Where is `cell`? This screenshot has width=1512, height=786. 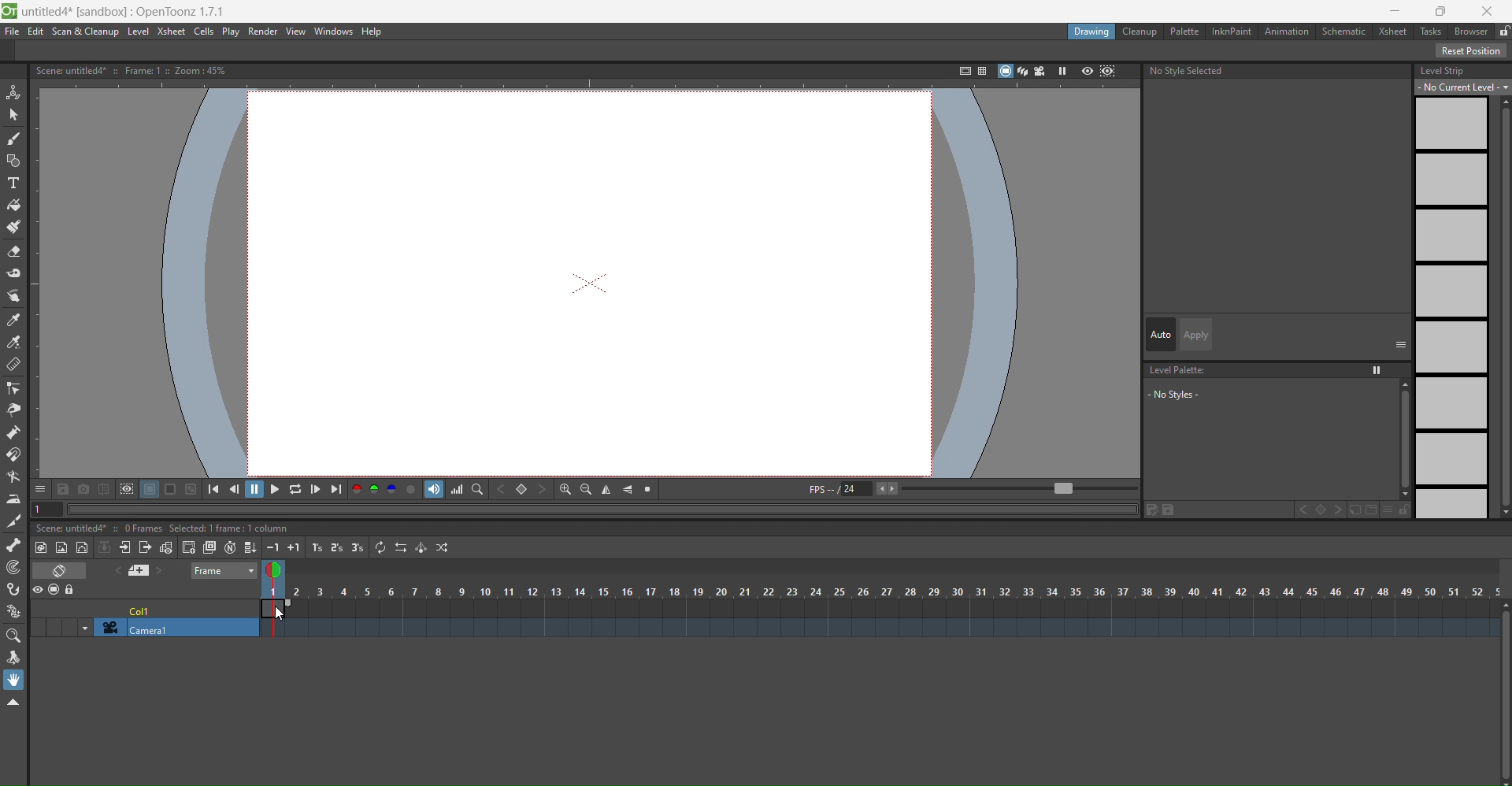
cell is located at coordinates (143, 609).